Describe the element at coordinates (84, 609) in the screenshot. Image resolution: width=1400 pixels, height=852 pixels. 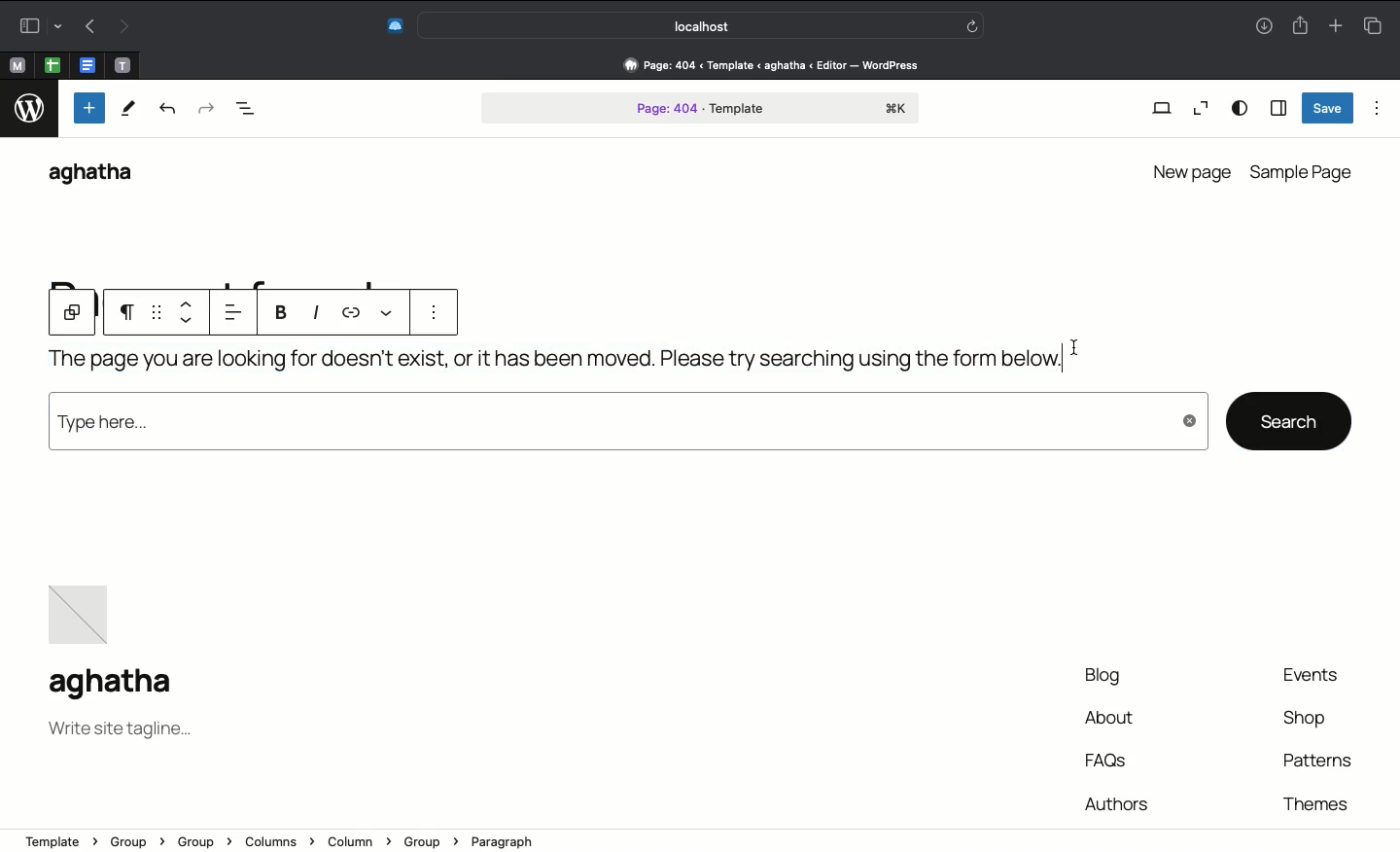
I see `Image` at that location.